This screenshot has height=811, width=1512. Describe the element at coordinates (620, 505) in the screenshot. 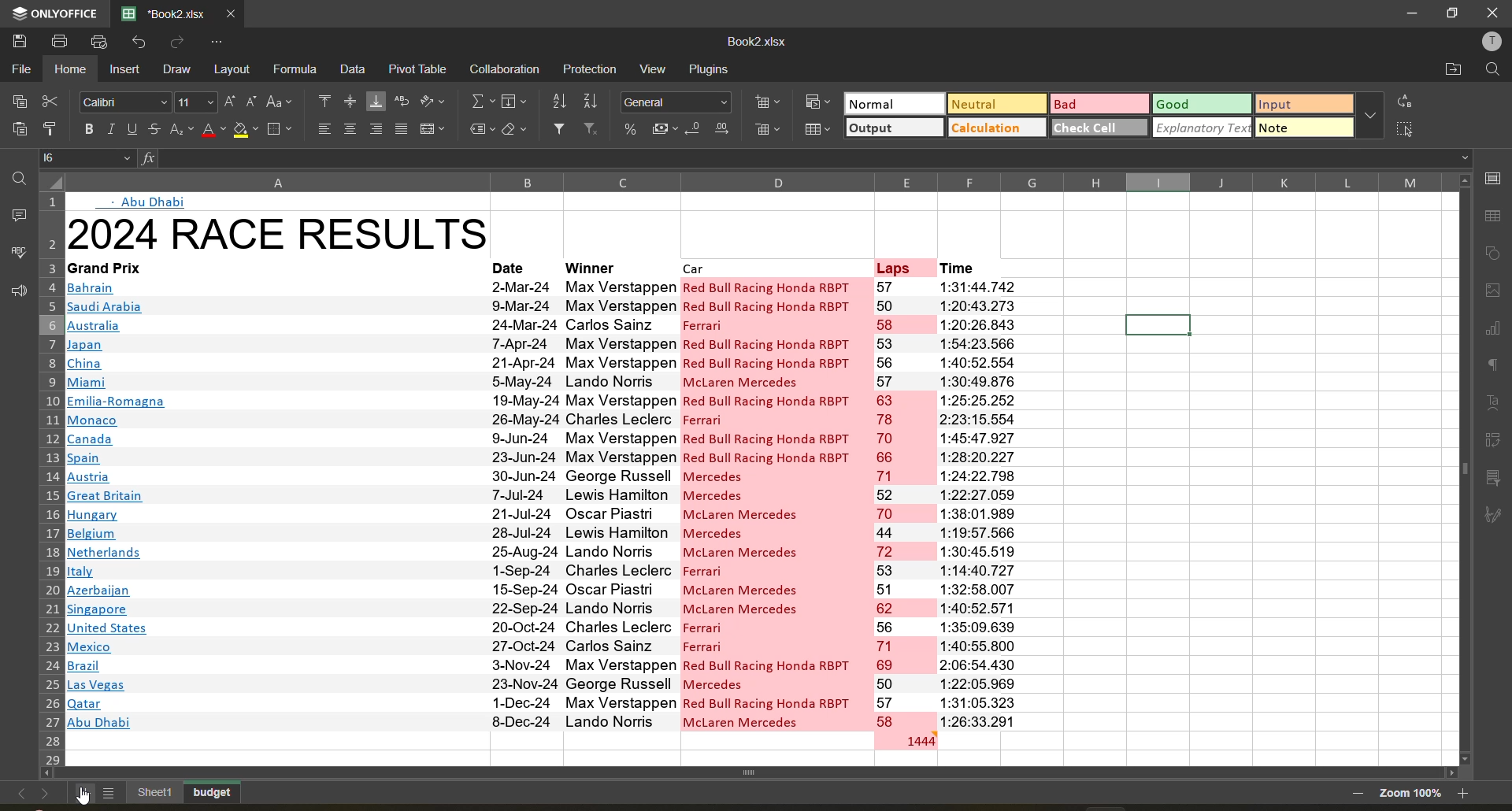

I see `winnner` at that location.